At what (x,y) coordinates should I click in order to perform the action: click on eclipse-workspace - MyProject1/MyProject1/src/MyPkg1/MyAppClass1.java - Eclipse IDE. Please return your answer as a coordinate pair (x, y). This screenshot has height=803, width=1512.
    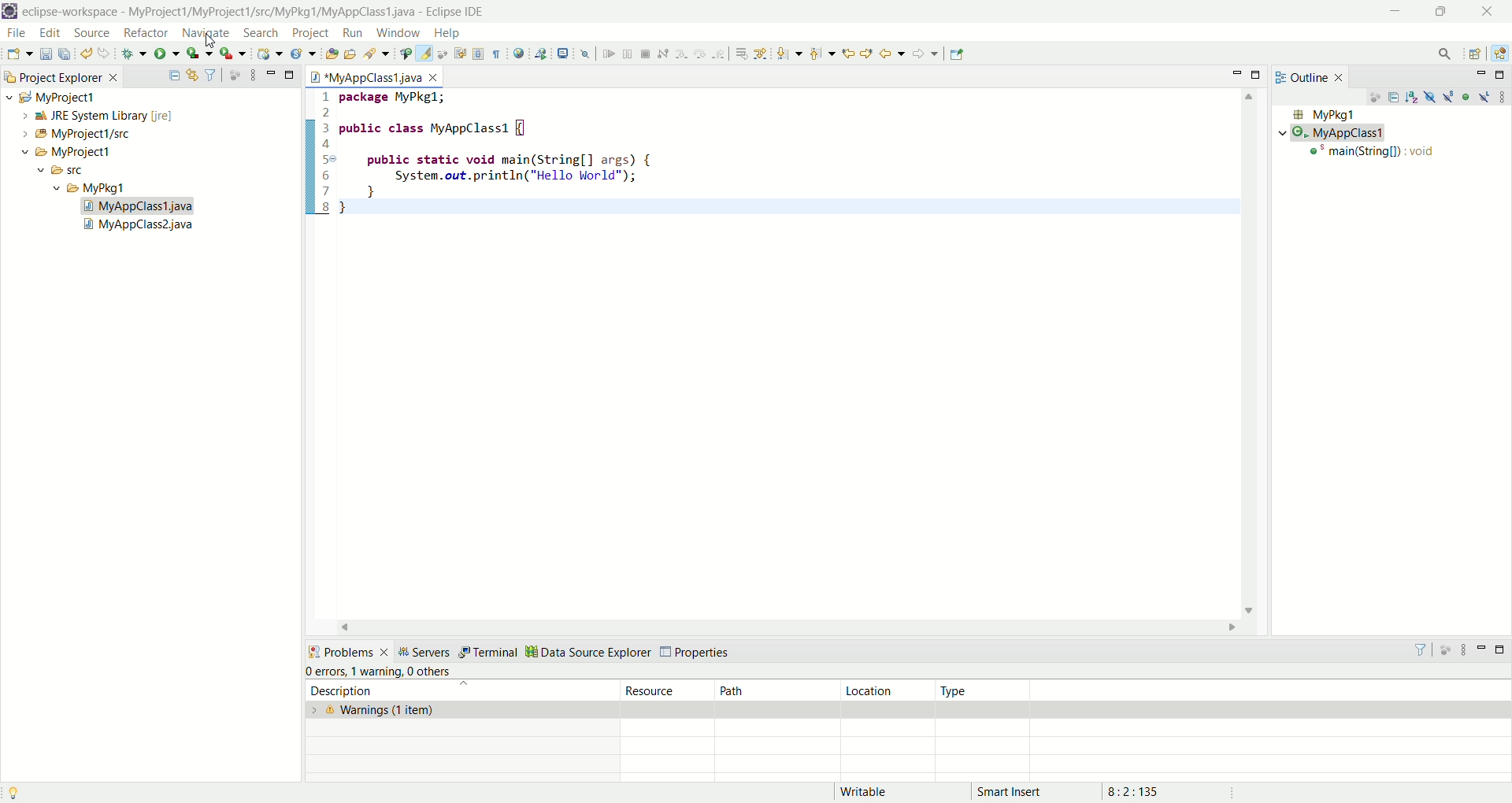
    Looking at the image, I should click on (258, 12).